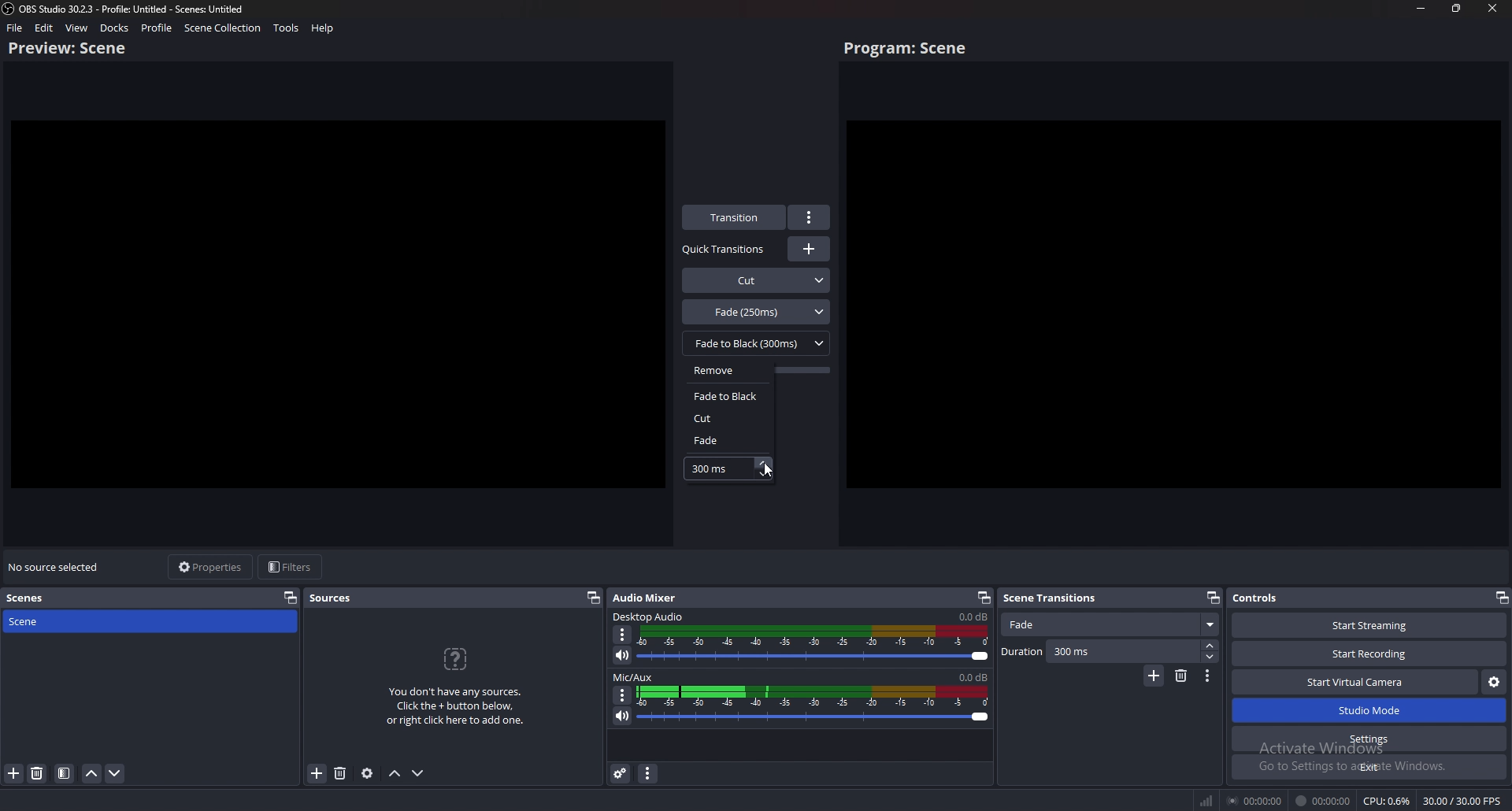 This screenshot has width=1512, height=811. Describe the element at coordinates (756, 343) in the screenshot. I see `Fate to black(300ms)` at that location.